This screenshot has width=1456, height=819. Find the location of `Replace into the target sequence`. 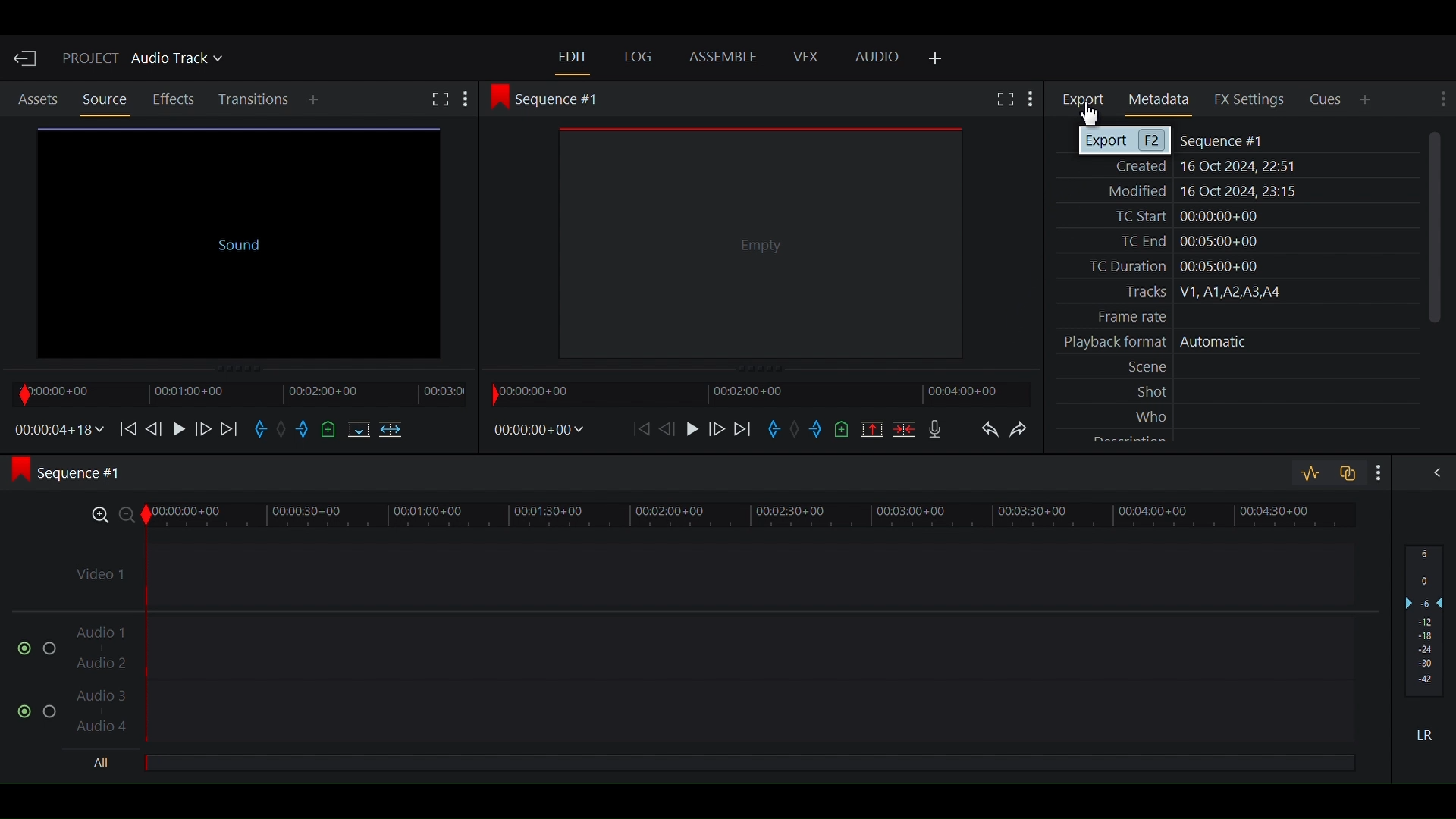

Replace into the target sequence is located at coordinates (357, 431).